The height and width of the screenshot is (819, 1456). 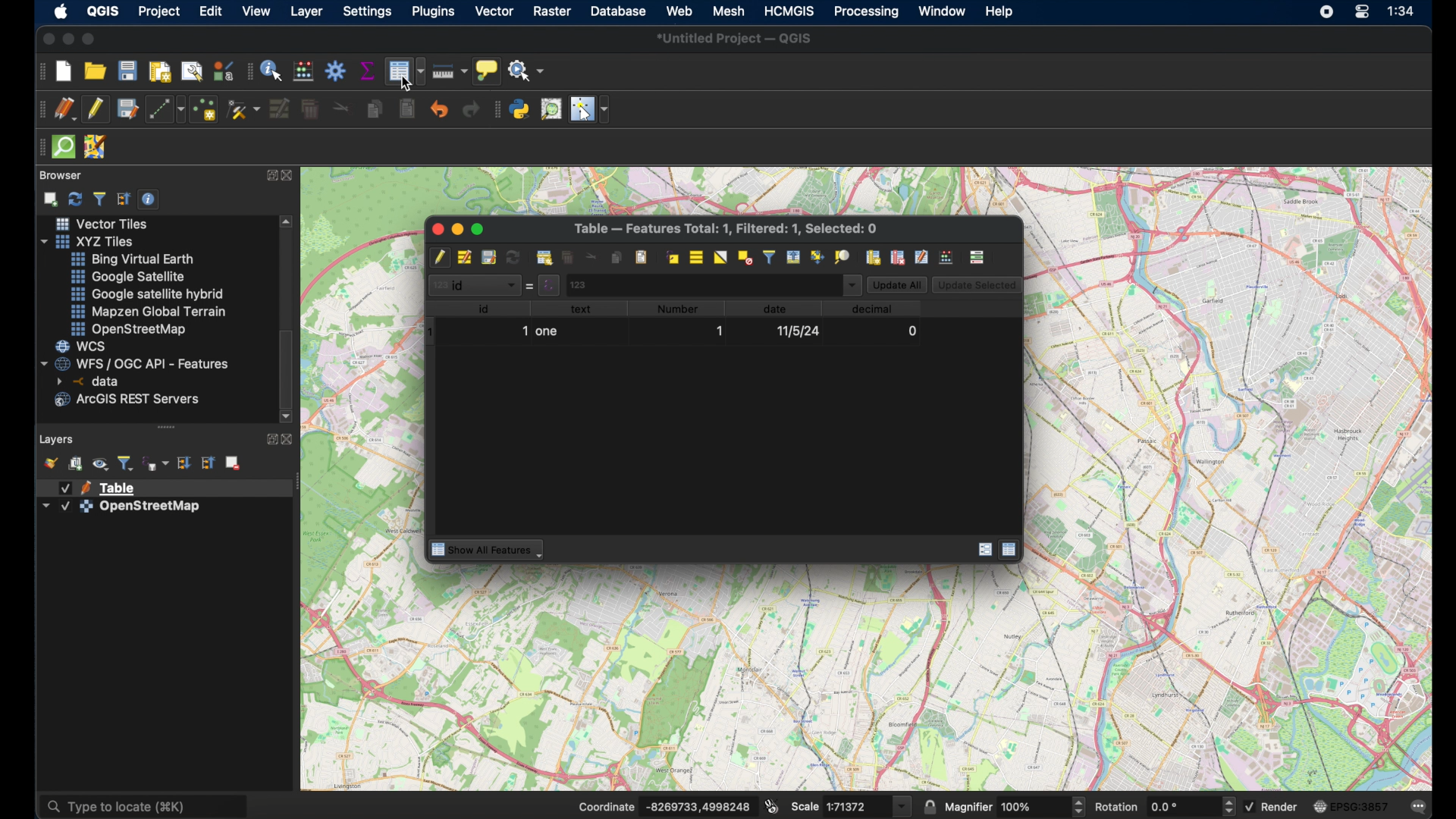 What do you see at coordinates (409, 83) in the screenshot?
I see `cursor` at bounding box center [409, 83].